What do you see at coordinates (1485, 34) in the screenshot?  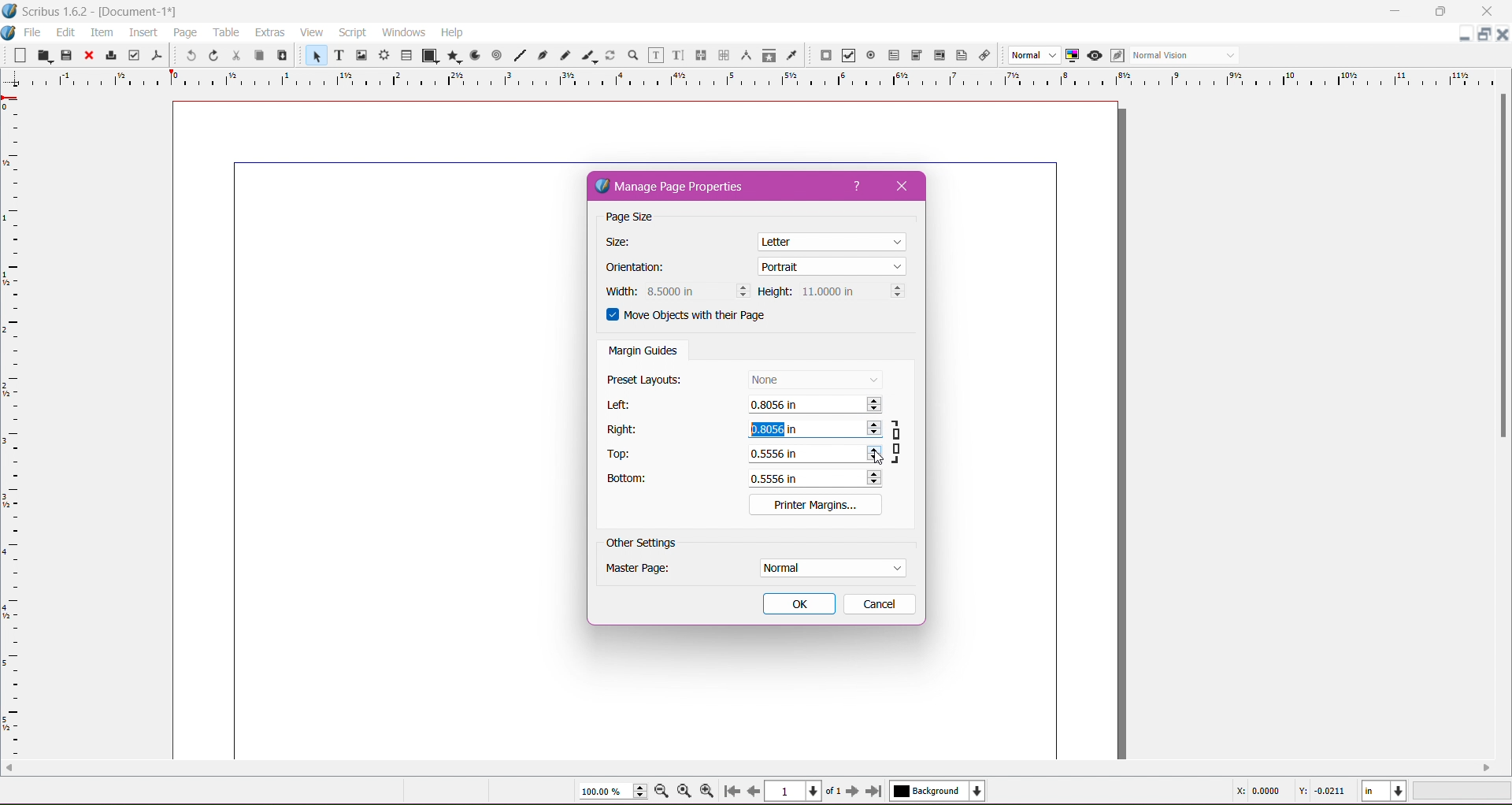 I see `Restore Down Document` at bounding box center [1485, 34].